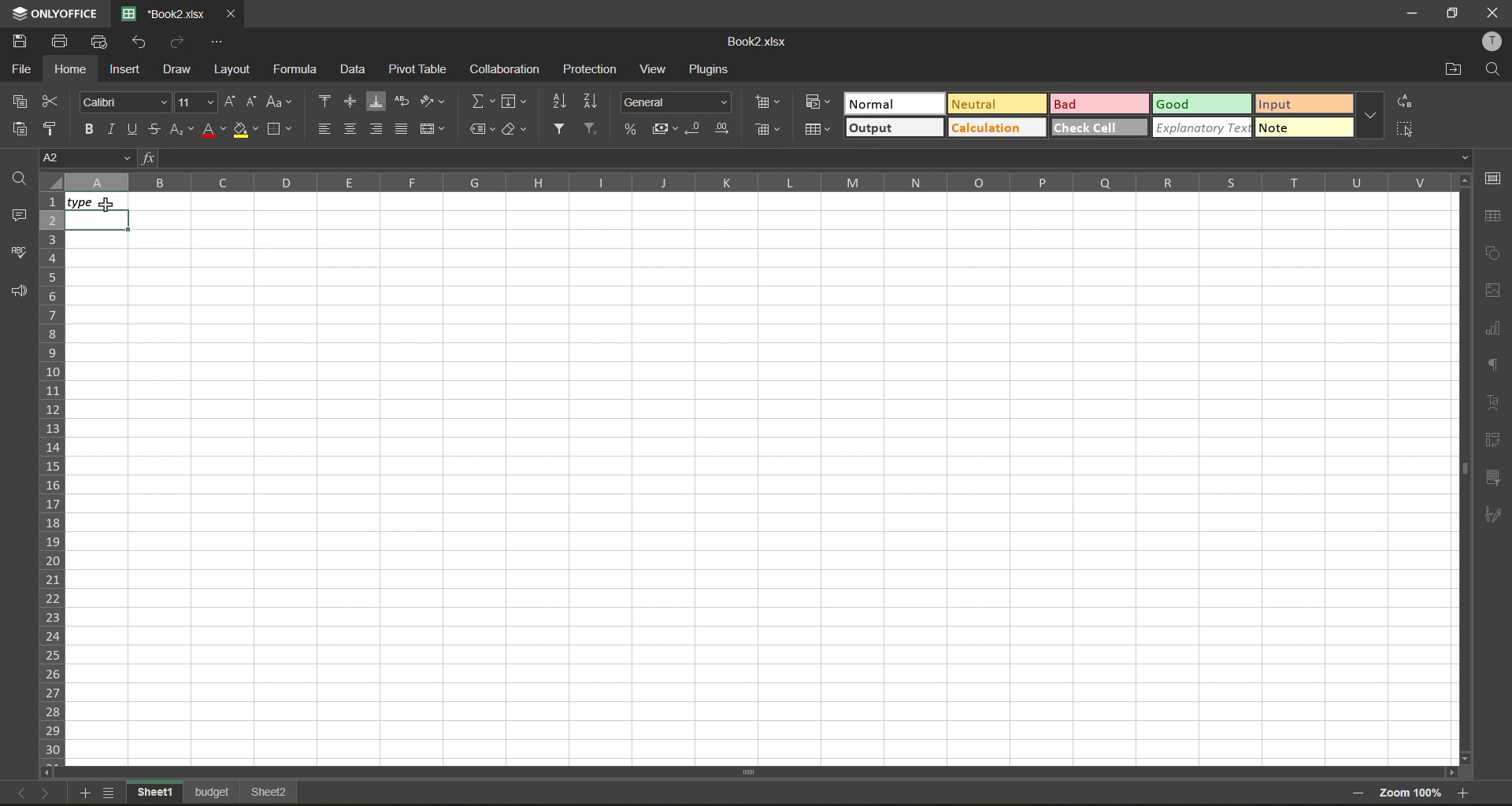 The width and height of the screenshot is (1512, 806). What do you see at coordinates (232, 101) in the screenshot?
I see `increment size` at bounding box center [232, 101].